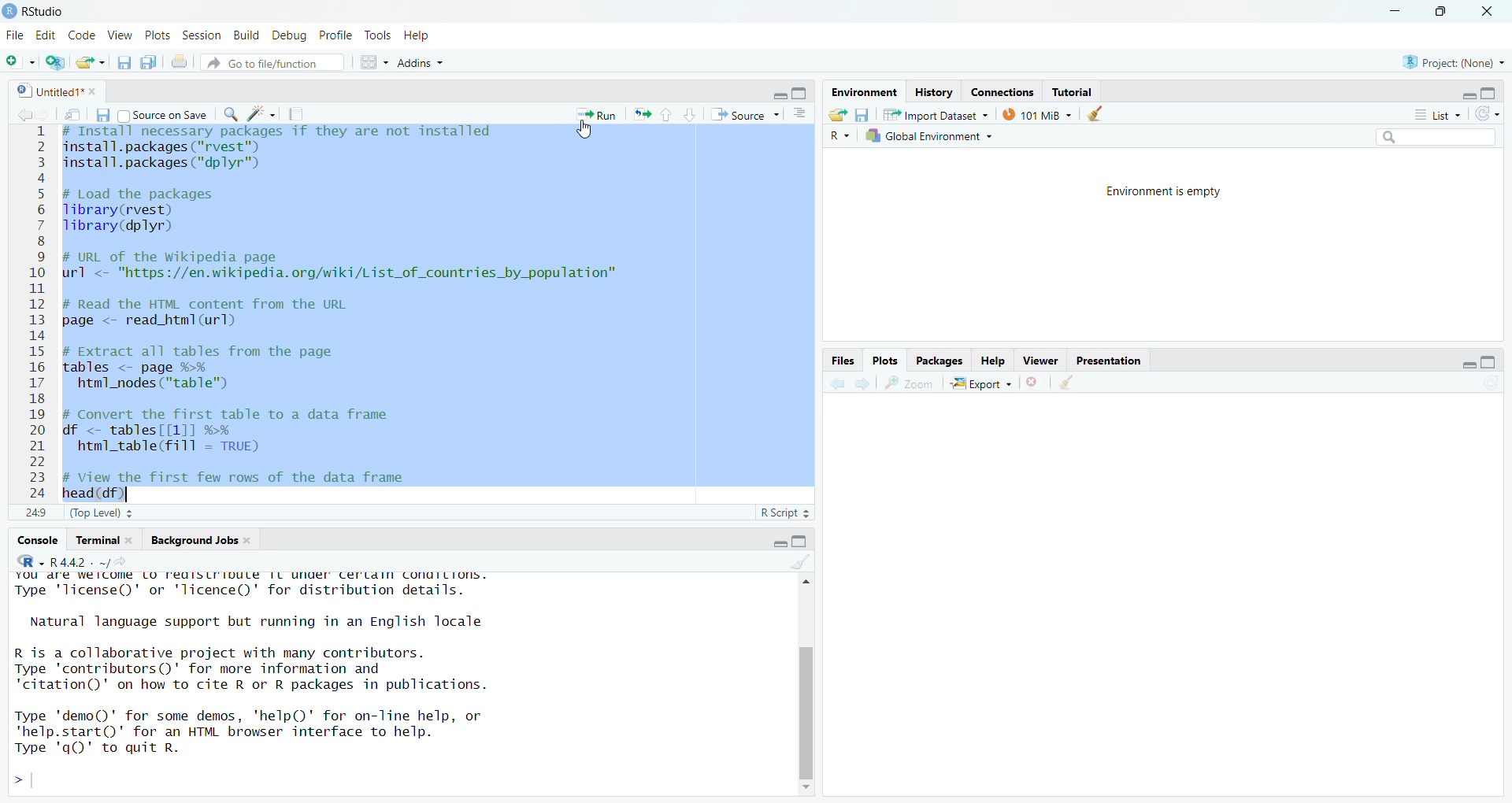 The image size is (1512, 803). What do you see at coordinates (24, 781) in the screenshot?
I see `start typing` at bounding box center [24, 781].